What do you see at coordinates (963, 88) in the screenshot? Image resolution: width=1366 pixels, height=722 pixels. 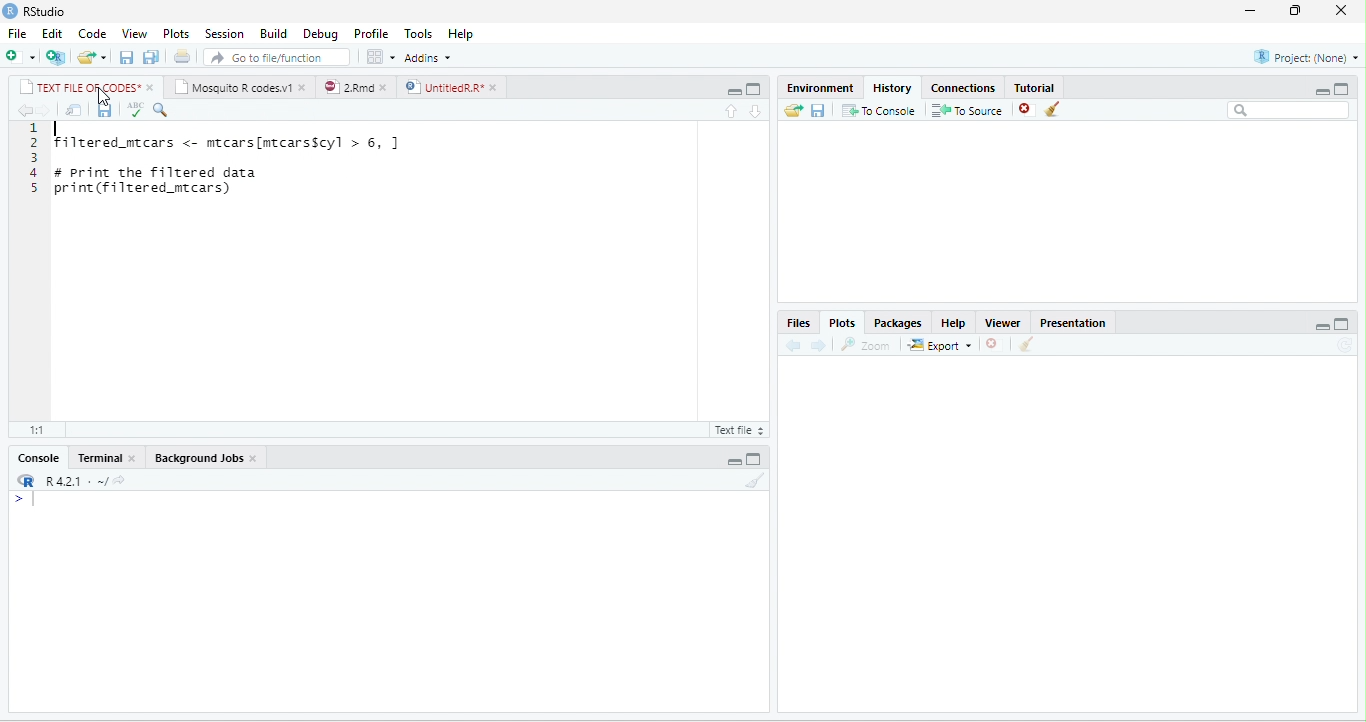 I see `Connections` at bounding box center [963, 88].